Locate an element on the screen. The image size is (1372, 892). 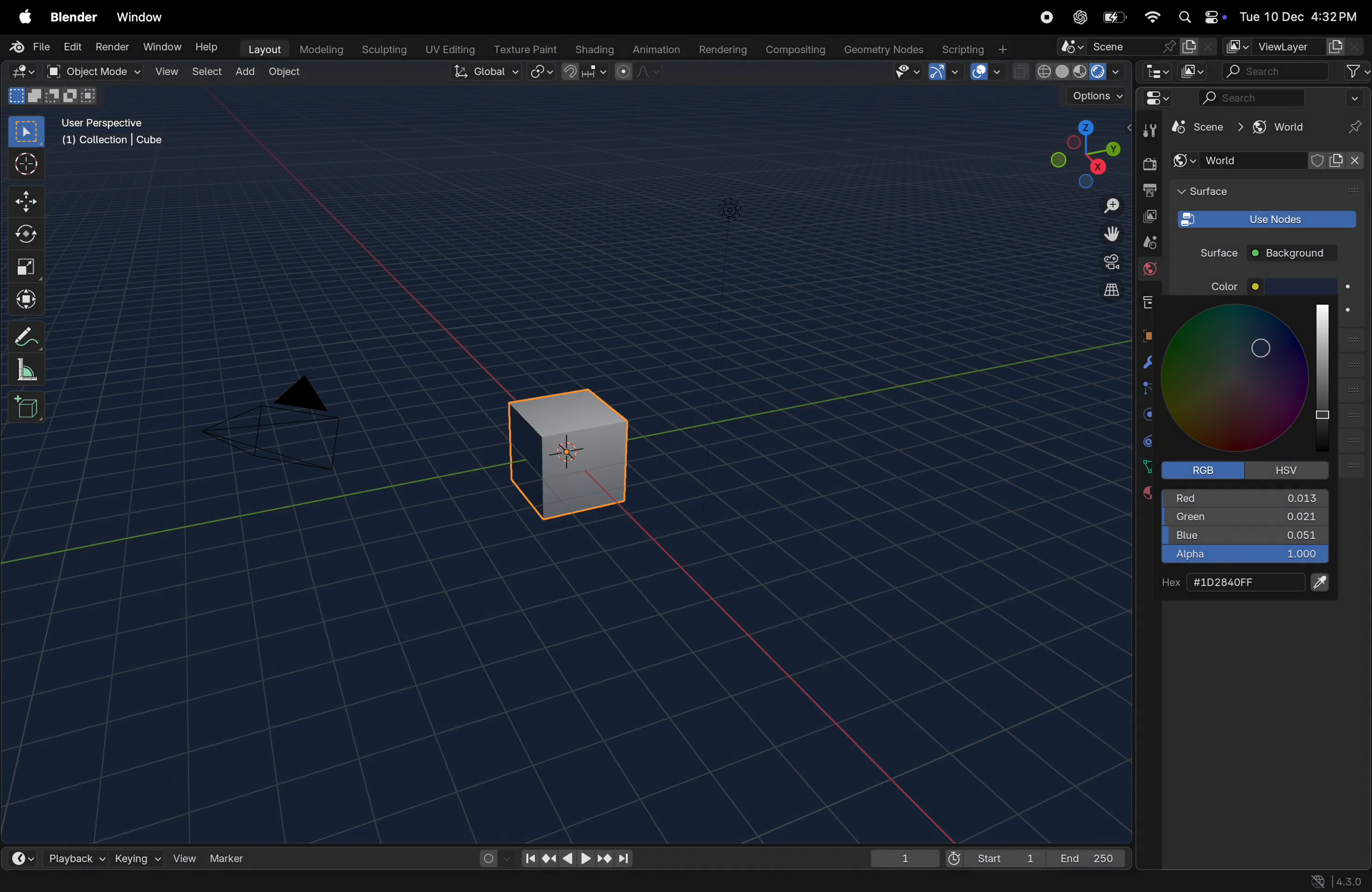
battery is located at coordinates (1113, 18).